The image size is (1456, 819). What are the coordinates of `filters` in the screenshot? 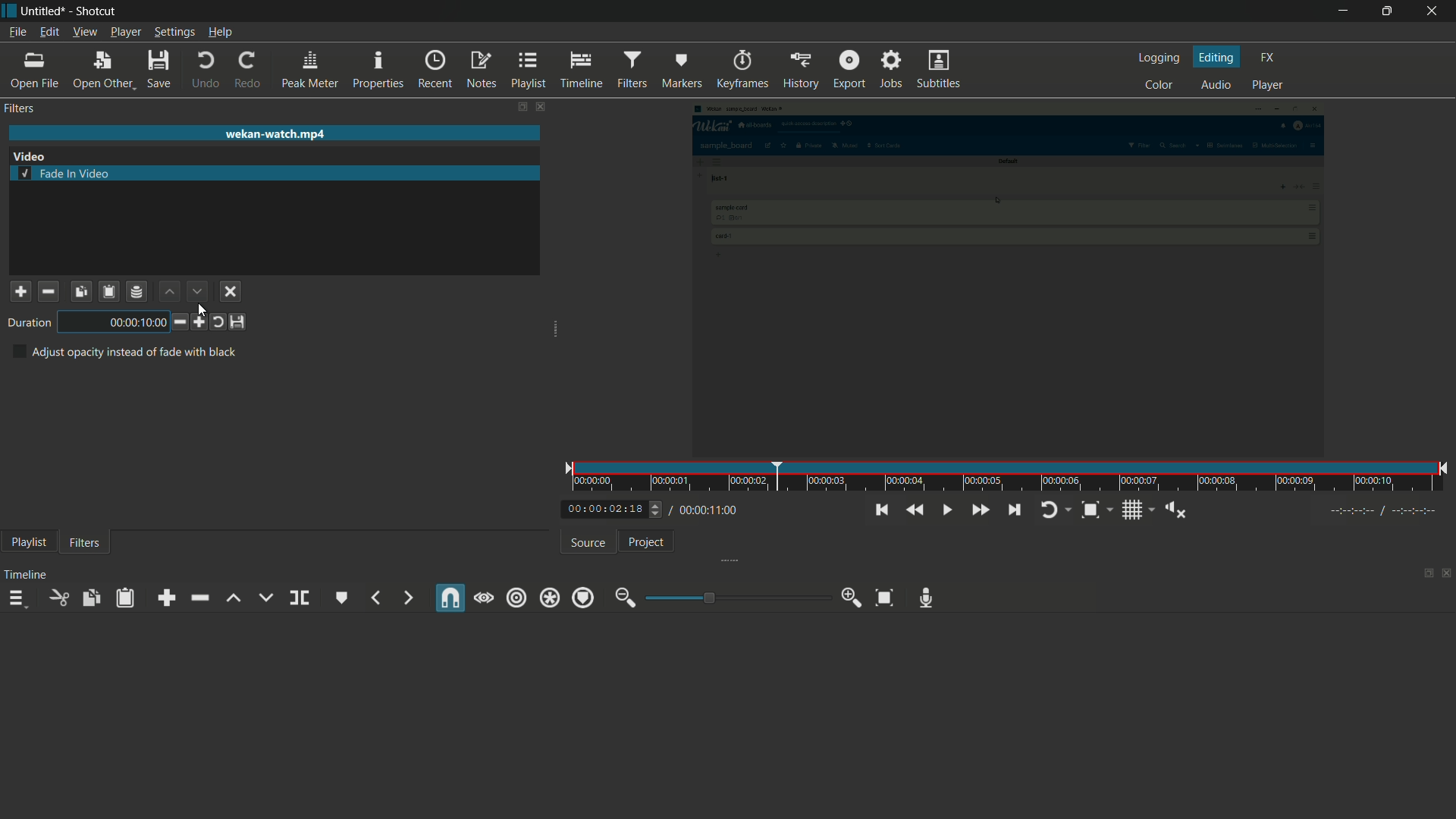 It's located at (631, 69).